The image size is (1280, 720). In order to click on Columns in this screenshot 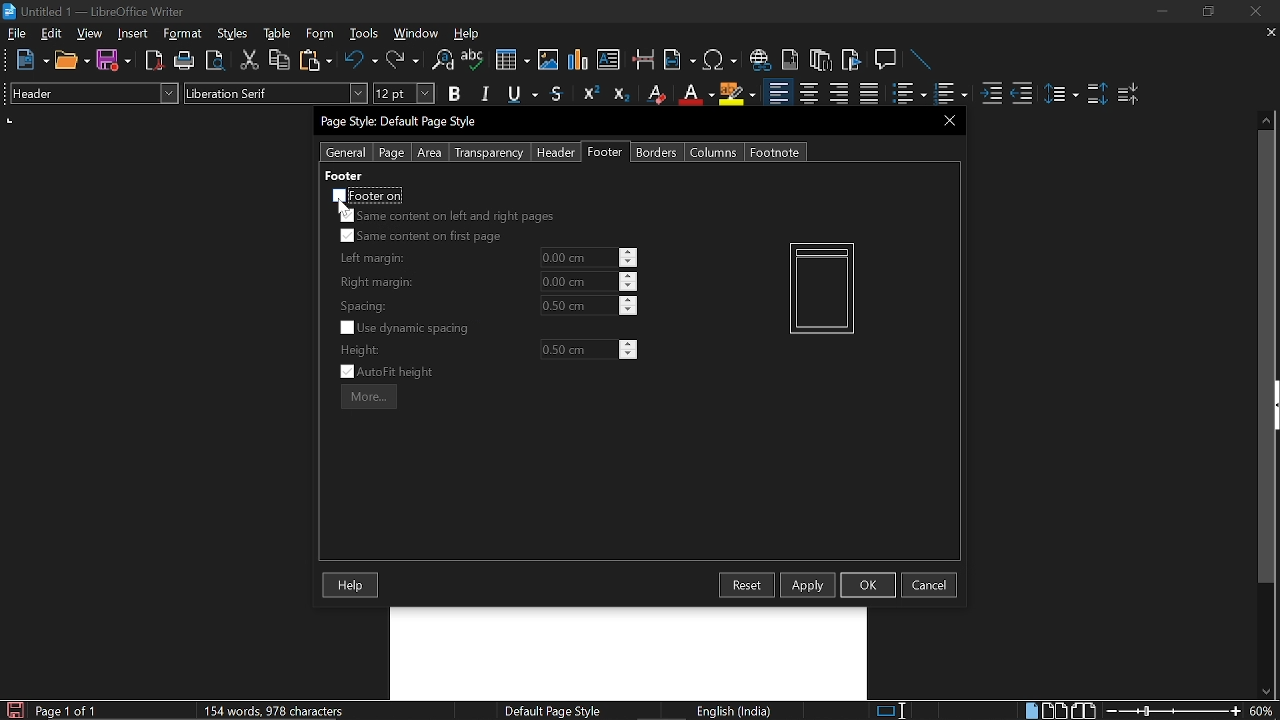, I will do `click(714, 152)`.